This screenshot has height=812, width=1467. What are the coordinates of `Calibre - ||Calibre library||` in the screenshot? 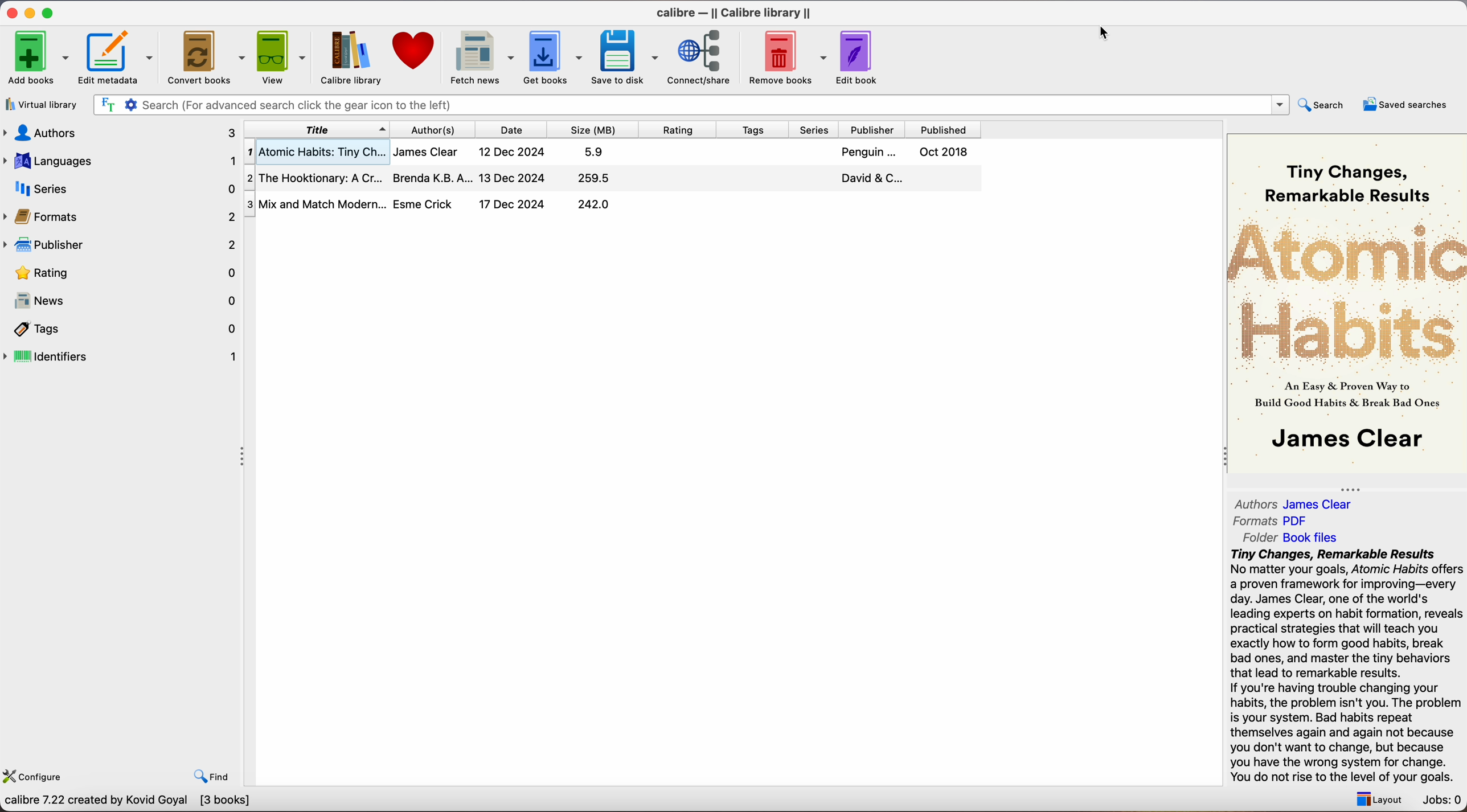 It's located at (733, 13).